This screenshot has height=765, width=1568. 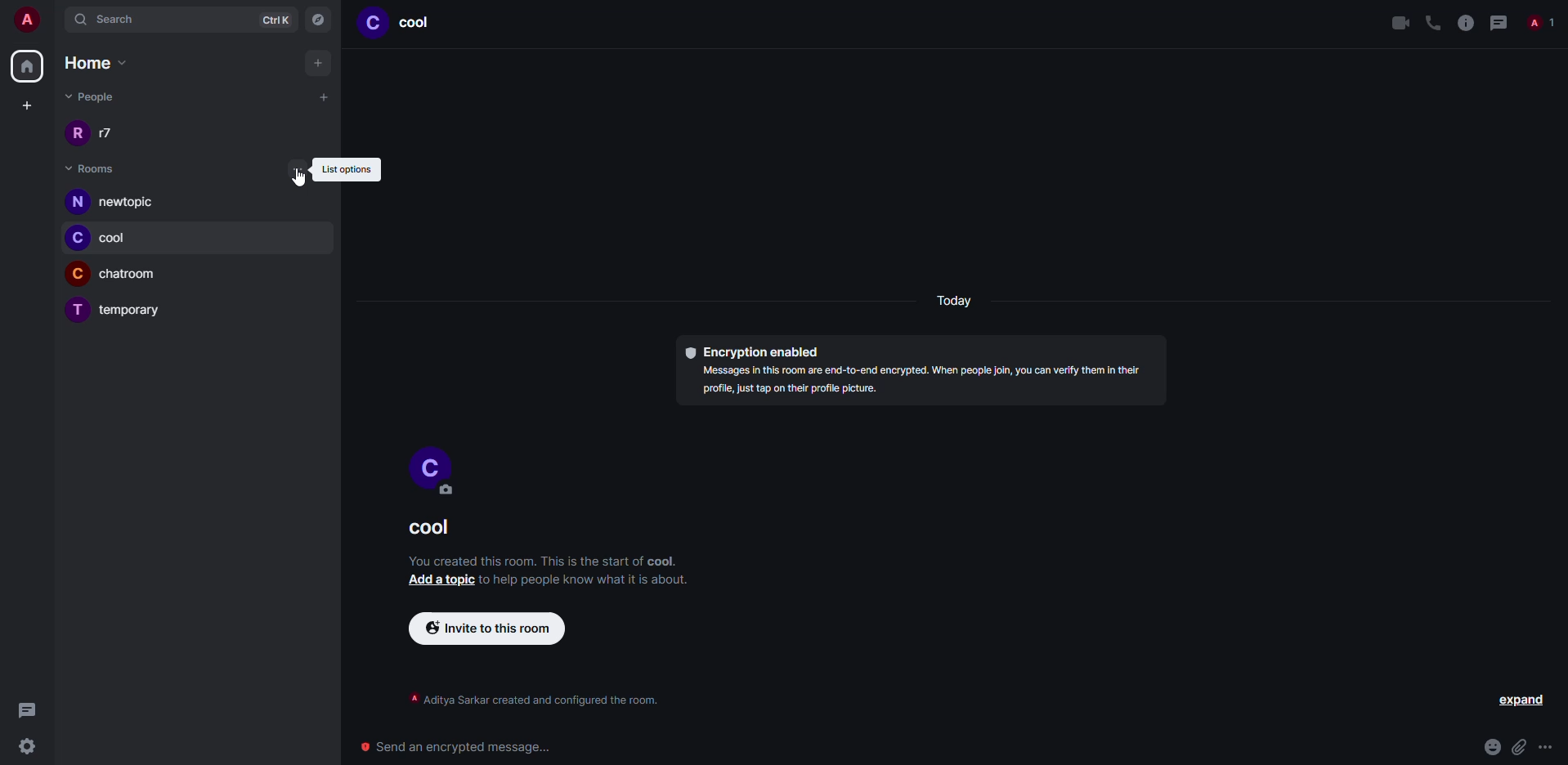 I want to click on voice call, so click(x=1432, y=22).